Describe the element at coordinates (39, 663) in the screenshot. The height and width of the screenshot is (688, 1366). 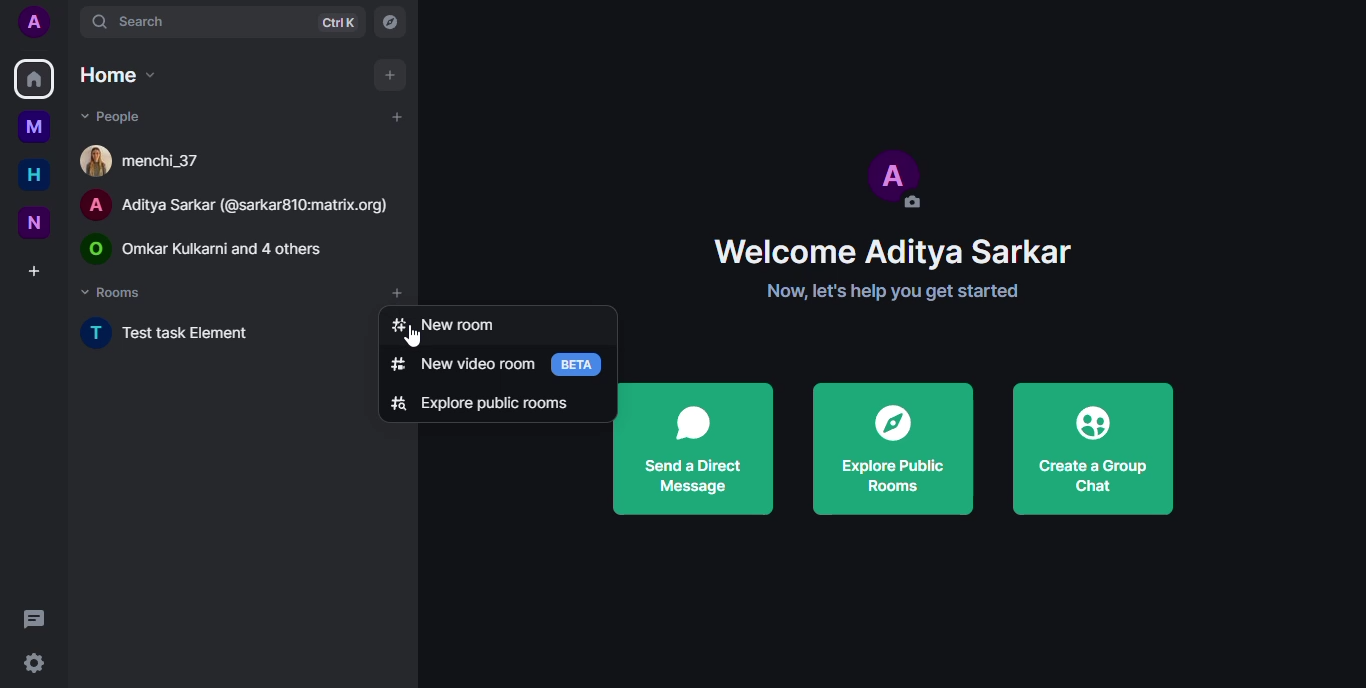
I see `settings` at that location.